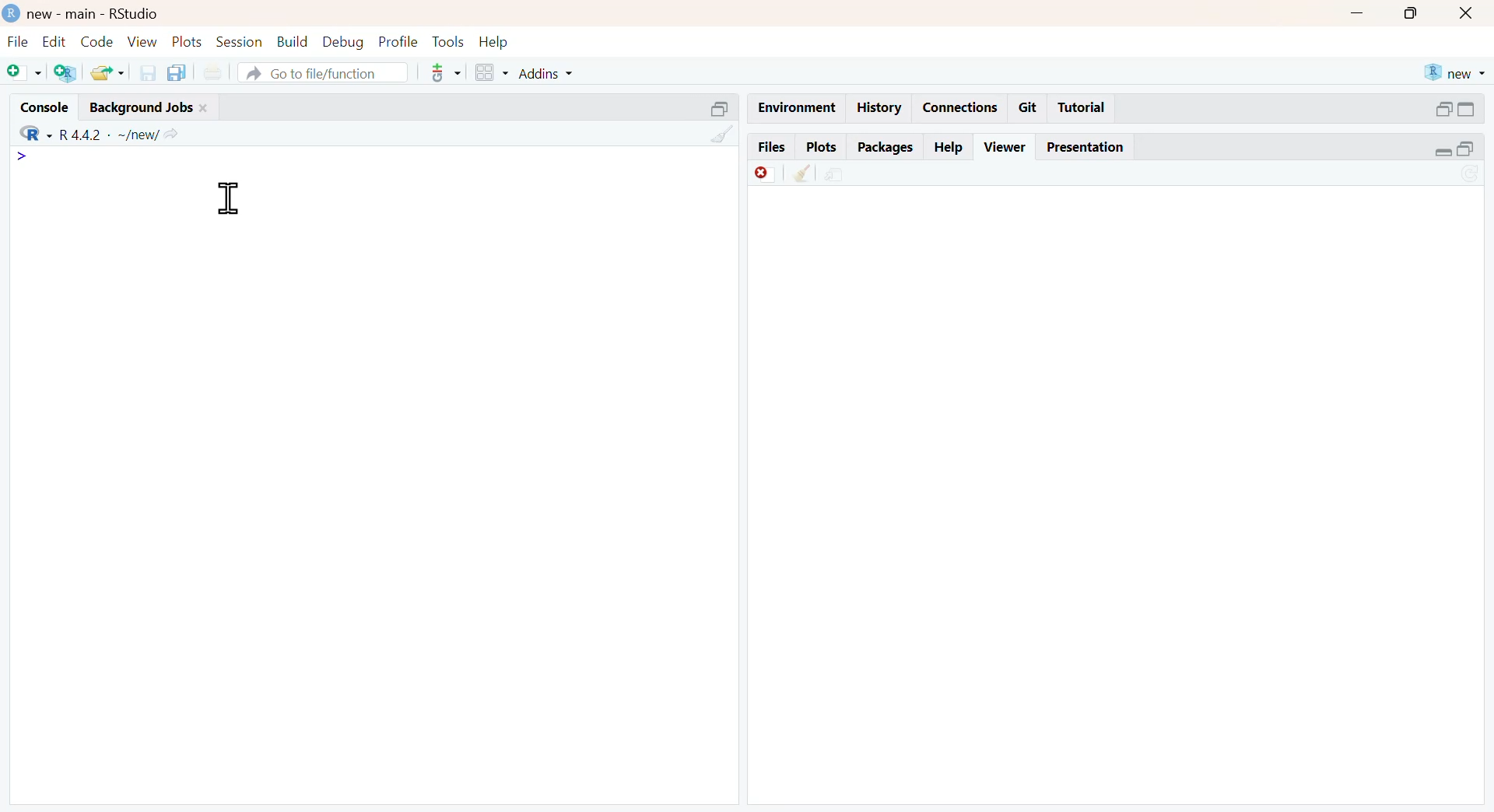 The image size is (1494, 812). What do you see at coordinates (1442, 152) in the screenshot?
I see `expand/collapse ` at bounding box center [1442, 152].